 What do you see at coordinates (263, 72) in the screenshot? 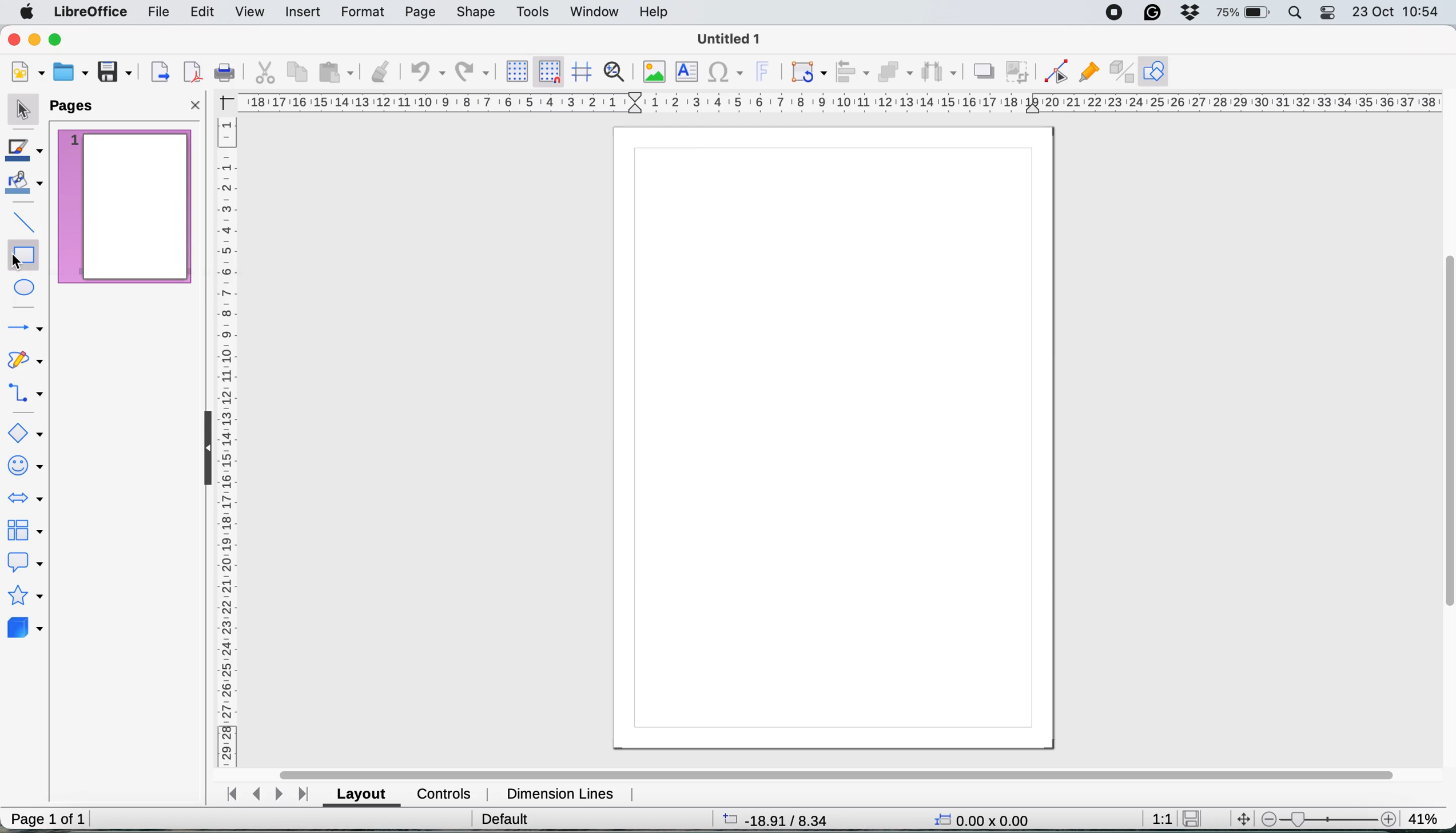
I see `cut` at bounding box center [263, 72].